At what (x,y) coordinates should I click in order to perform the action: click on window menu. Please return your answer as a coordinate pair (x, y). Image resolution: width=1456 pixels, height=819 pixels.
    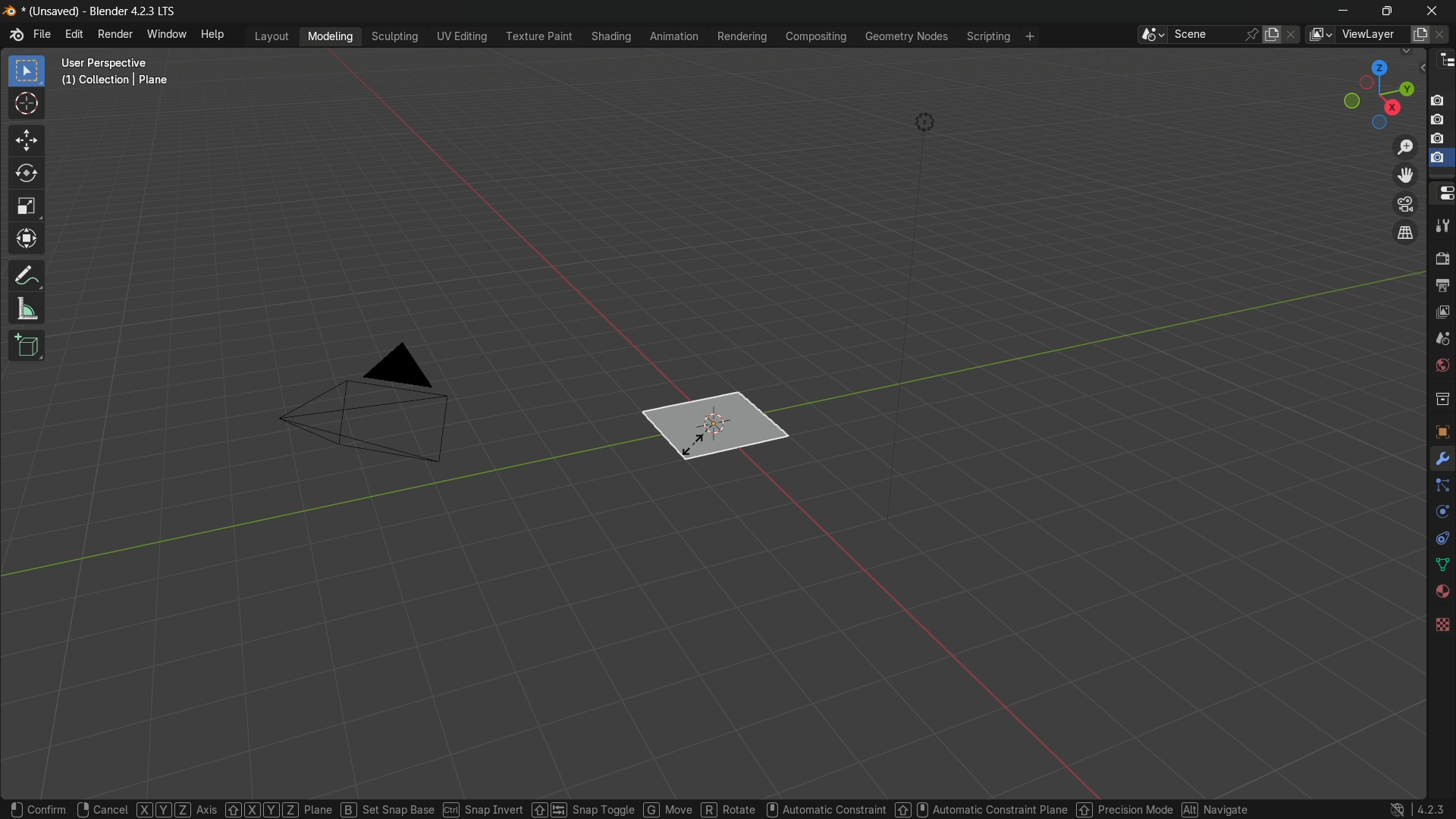
    Looking at the image, I should click on (166, 34).